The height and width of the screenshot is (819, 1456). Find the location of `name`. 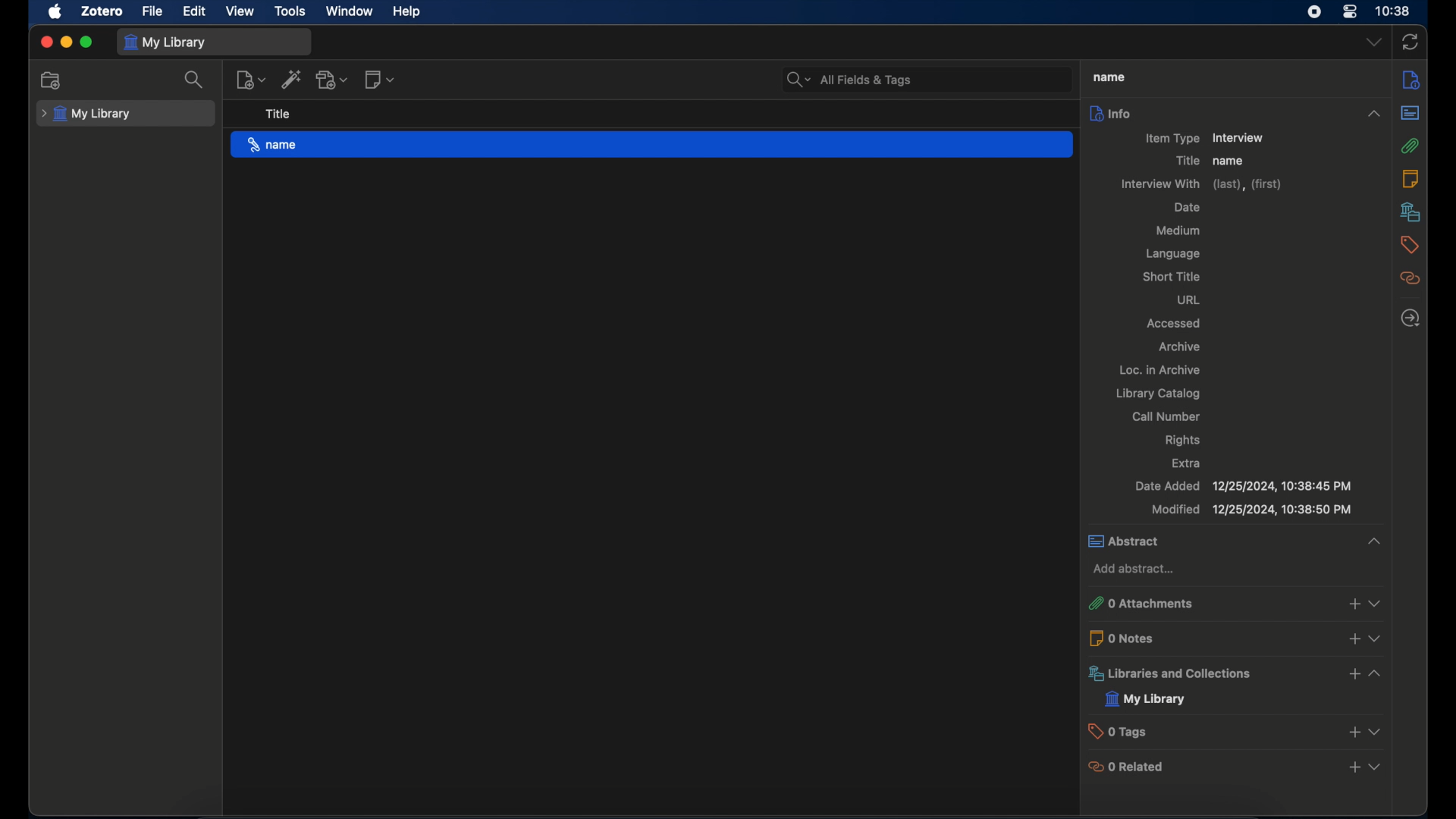

name is located at coordinates (652, 145).